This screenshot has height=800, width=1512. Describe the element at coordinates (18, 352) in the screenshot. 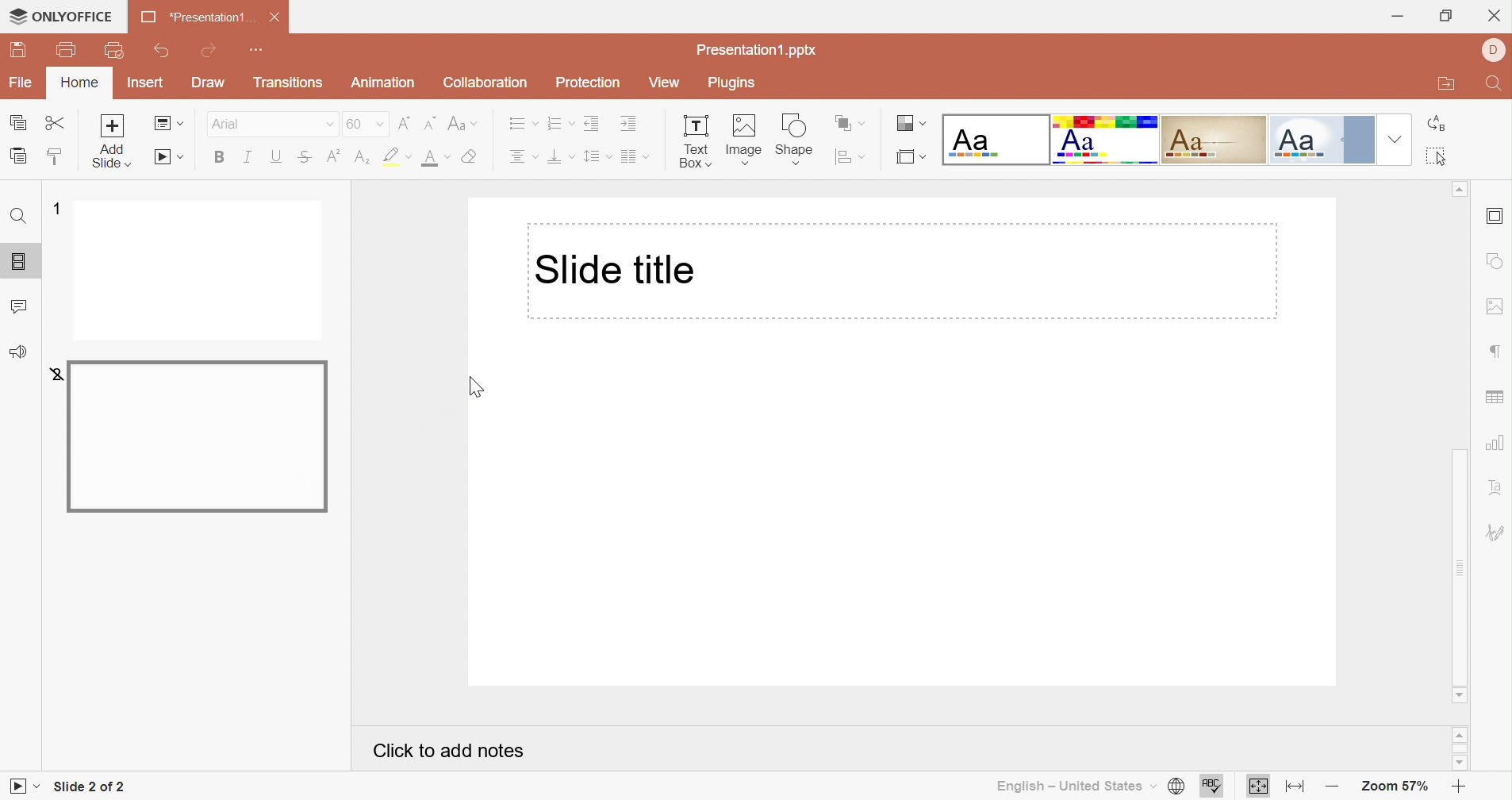

I see `Feedback & Support` at that location.